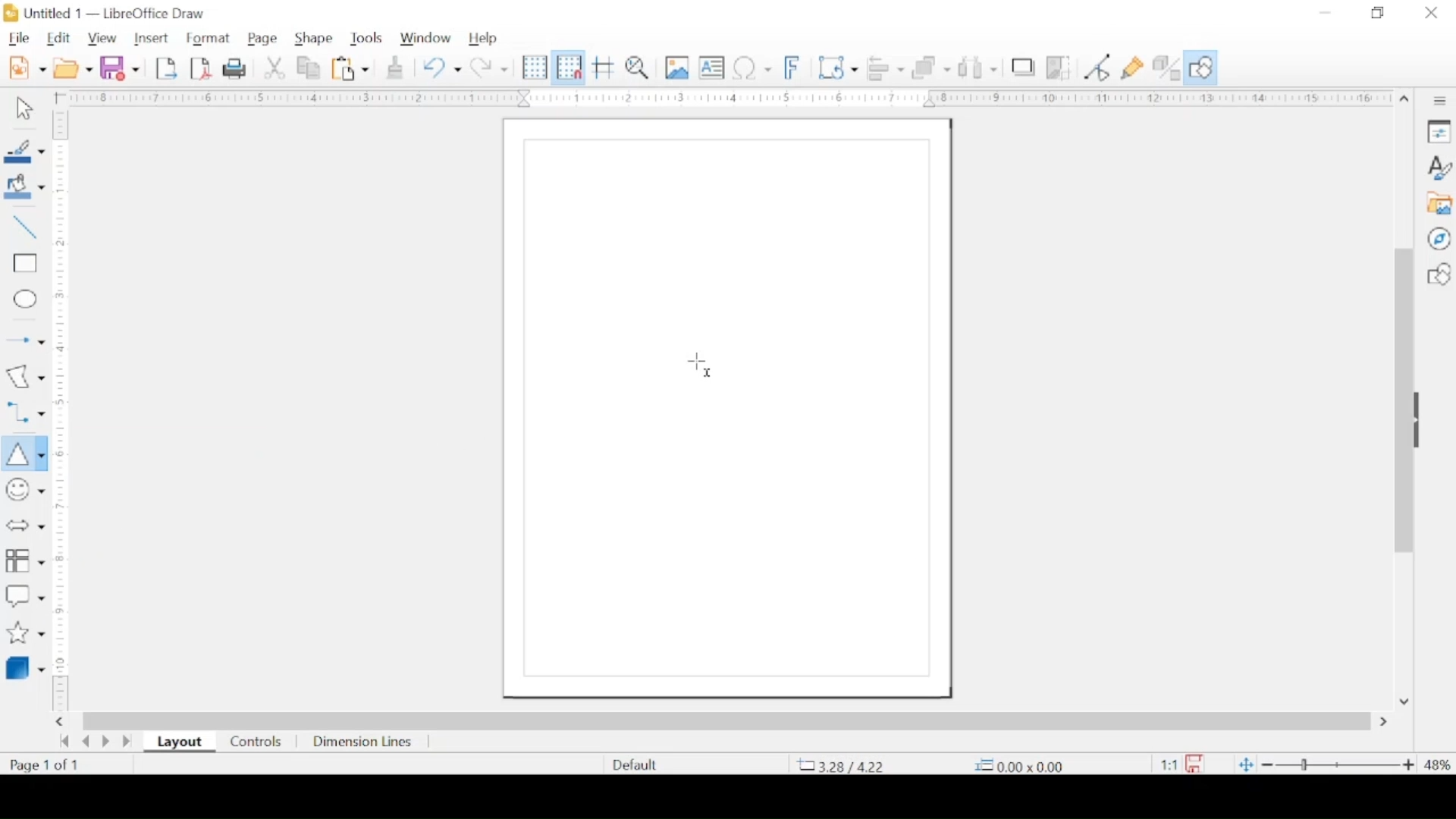 The image size is (1456, 819). What do you see at coordinates (678, 68) in the screenshot?
I see `insert image` at bounding box center [678, 68].